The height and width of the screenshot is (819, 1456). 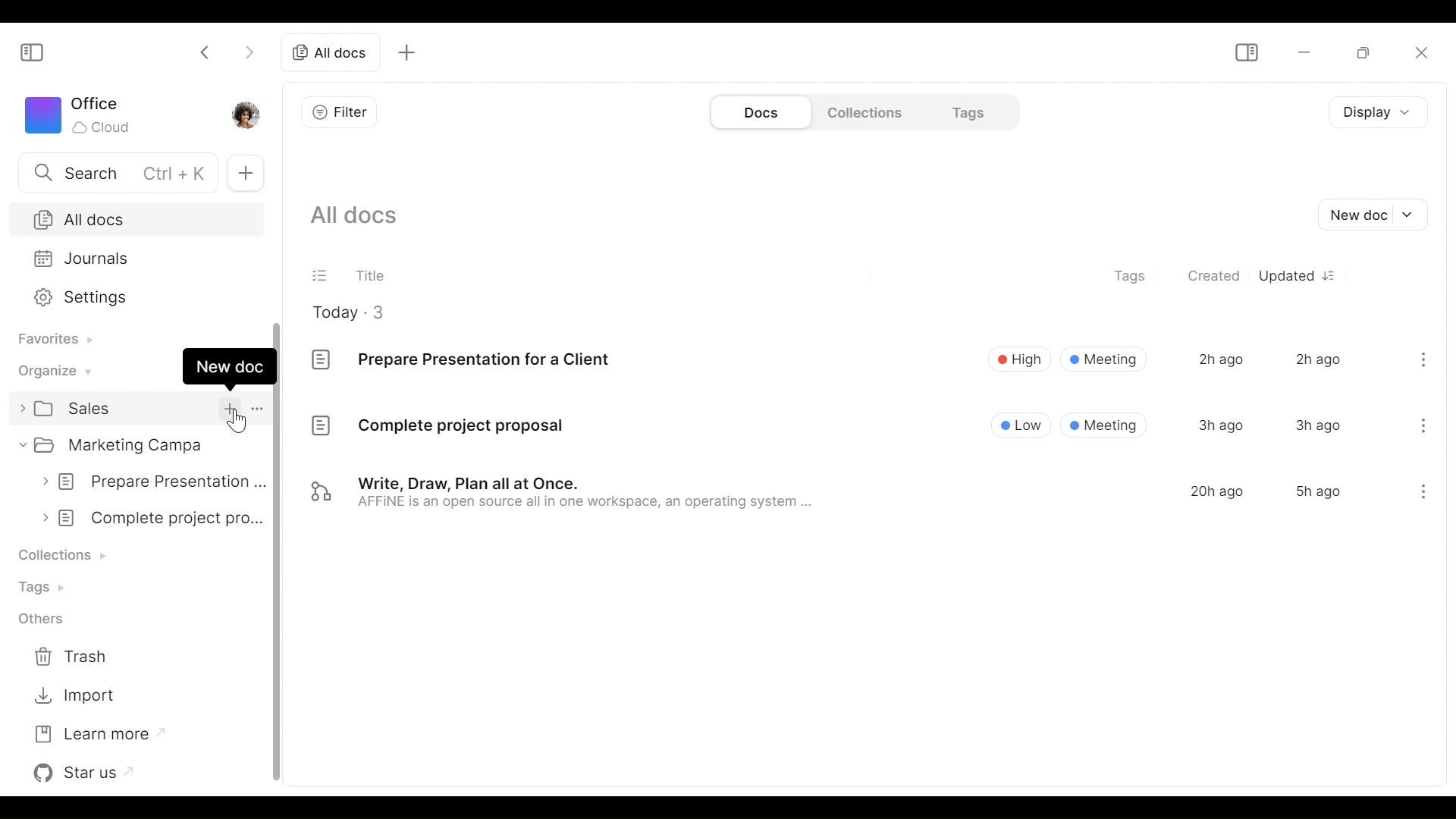 What do you see at coordinates (1018, 358) in the screenshot?
I see `High` at bounding box center [1018, 358].